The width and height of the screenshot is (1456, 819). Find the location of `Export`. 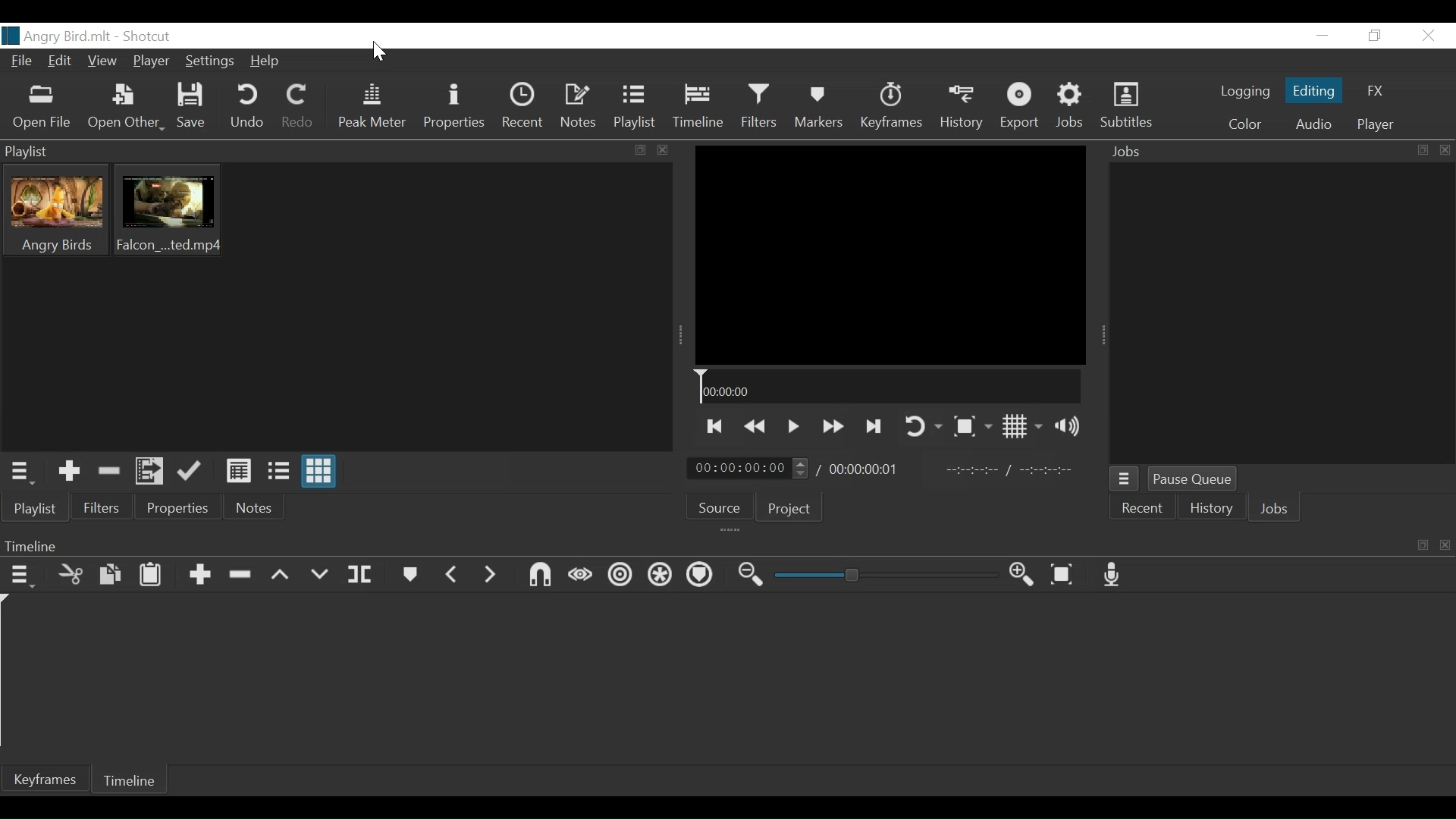

Export is located at coordinates (1021, 106).